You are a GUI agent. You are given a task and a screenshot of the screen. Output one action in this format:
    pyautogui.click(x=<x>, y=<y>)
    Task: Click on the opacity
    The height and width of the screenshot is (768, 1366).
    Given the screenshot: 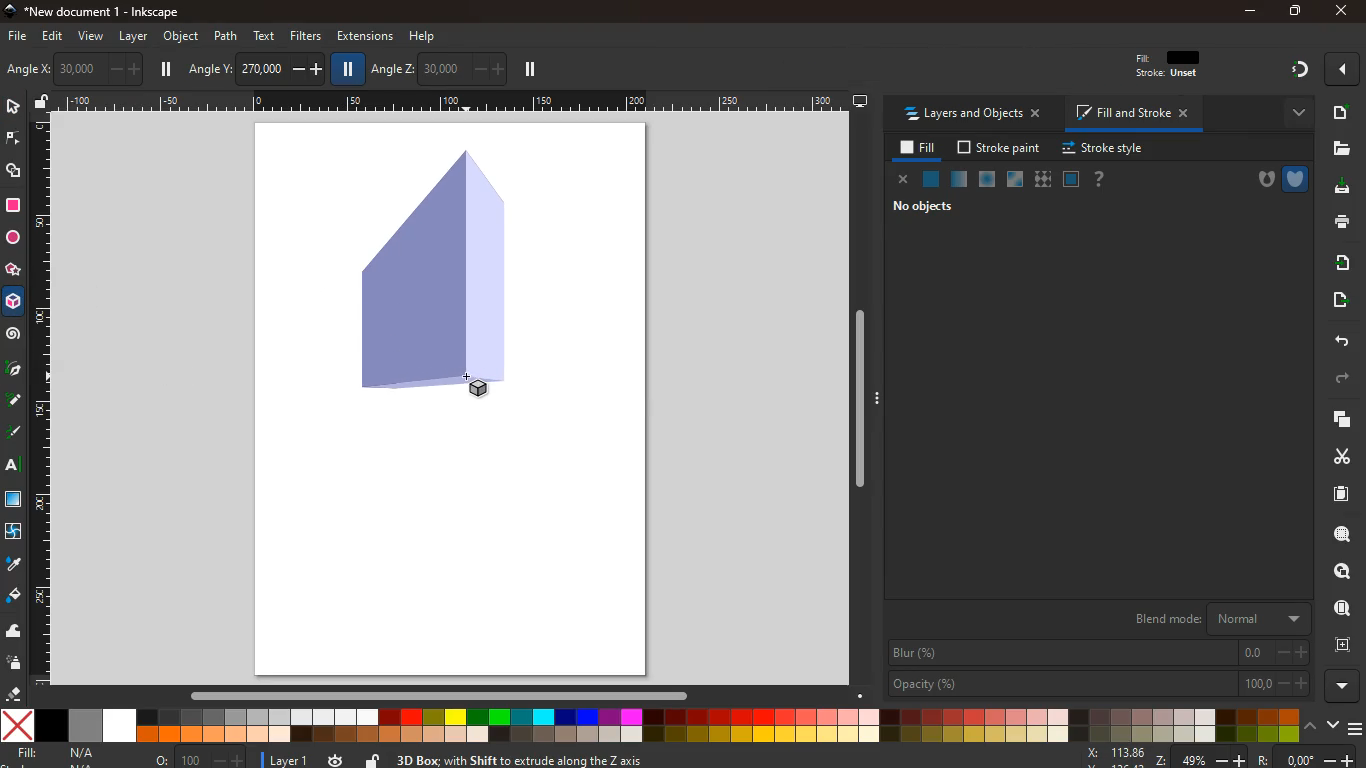 What is the action you would take?
    pyautogui.click(x=1097, y=685)
    